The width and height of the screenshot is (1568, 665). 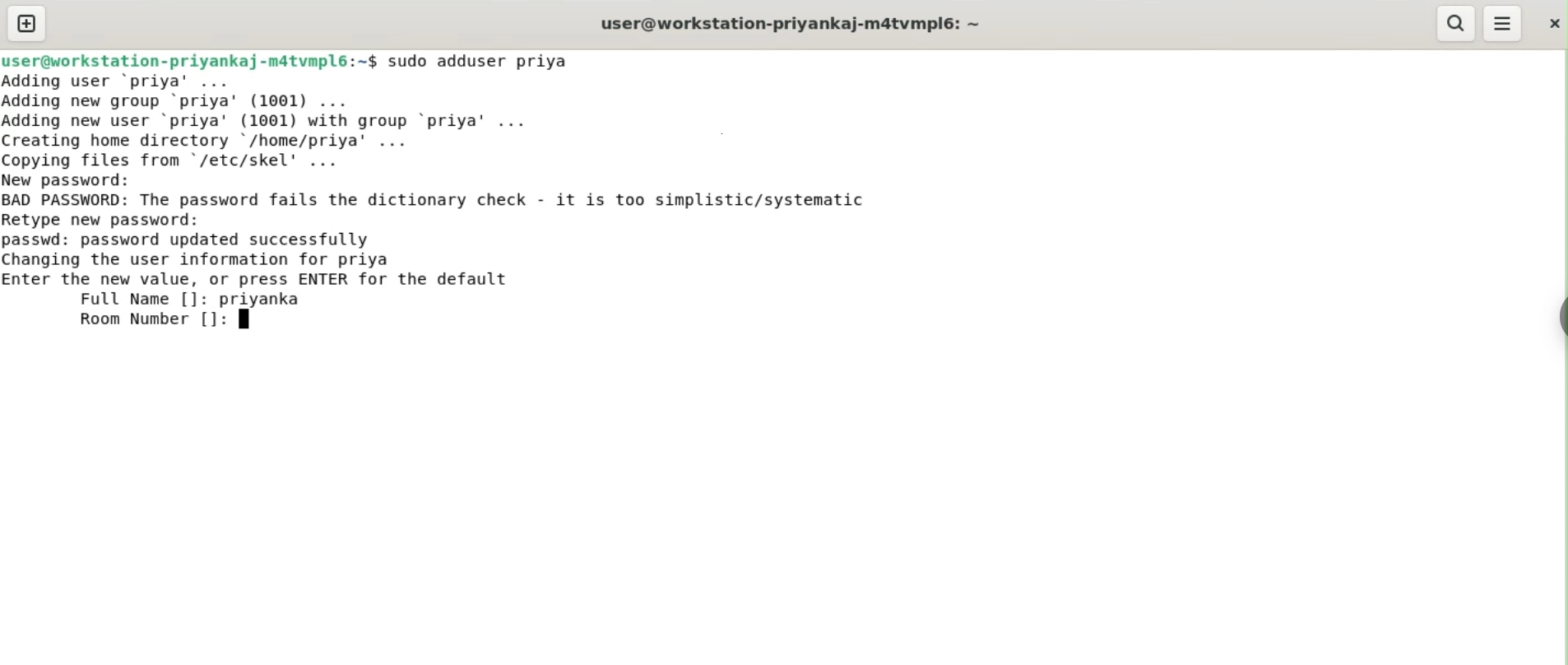 I want to click on Room Number []: , so click(x=160, y=319).